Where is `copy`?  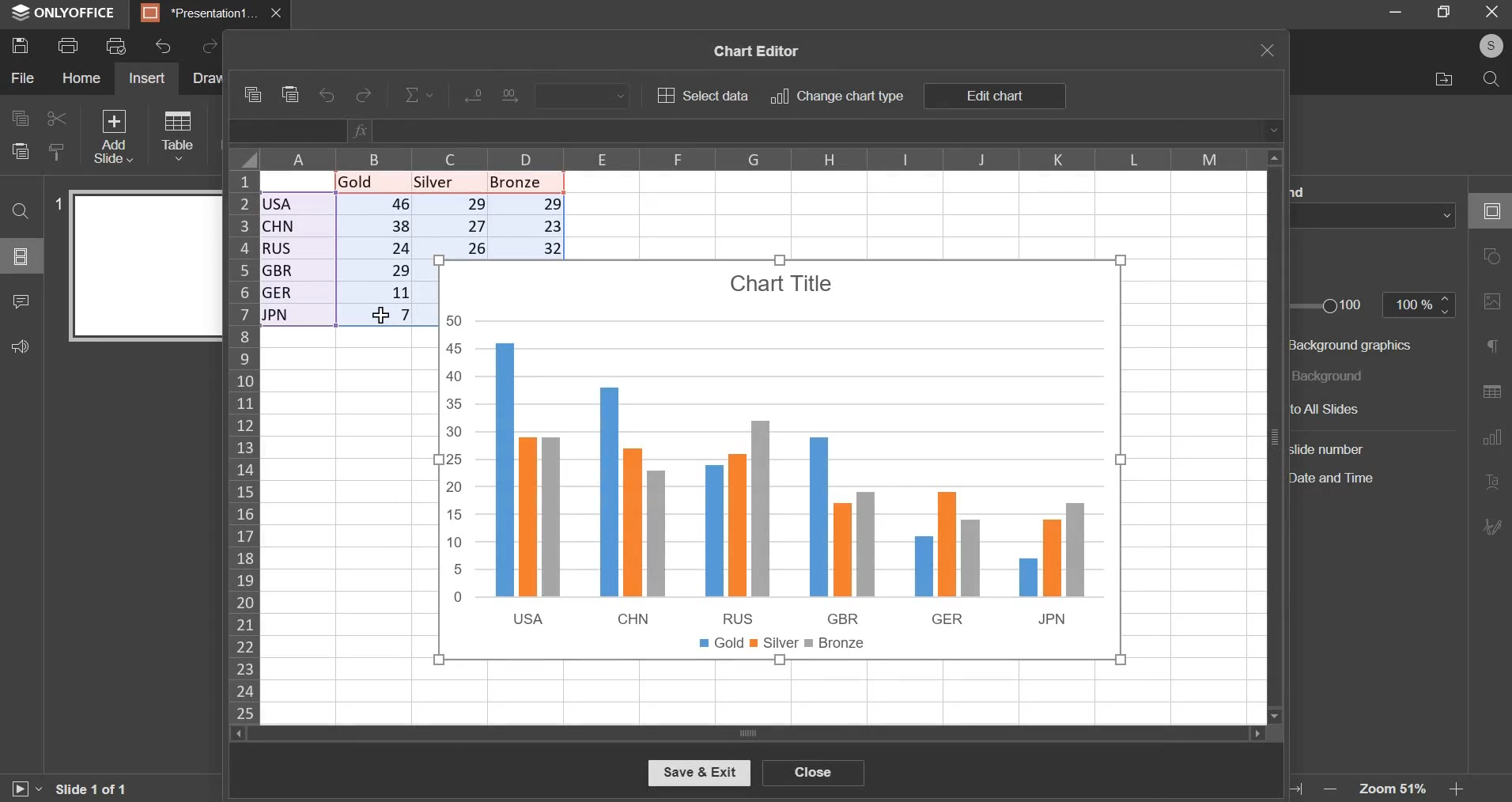
copy is located at coordinates (19, 119).